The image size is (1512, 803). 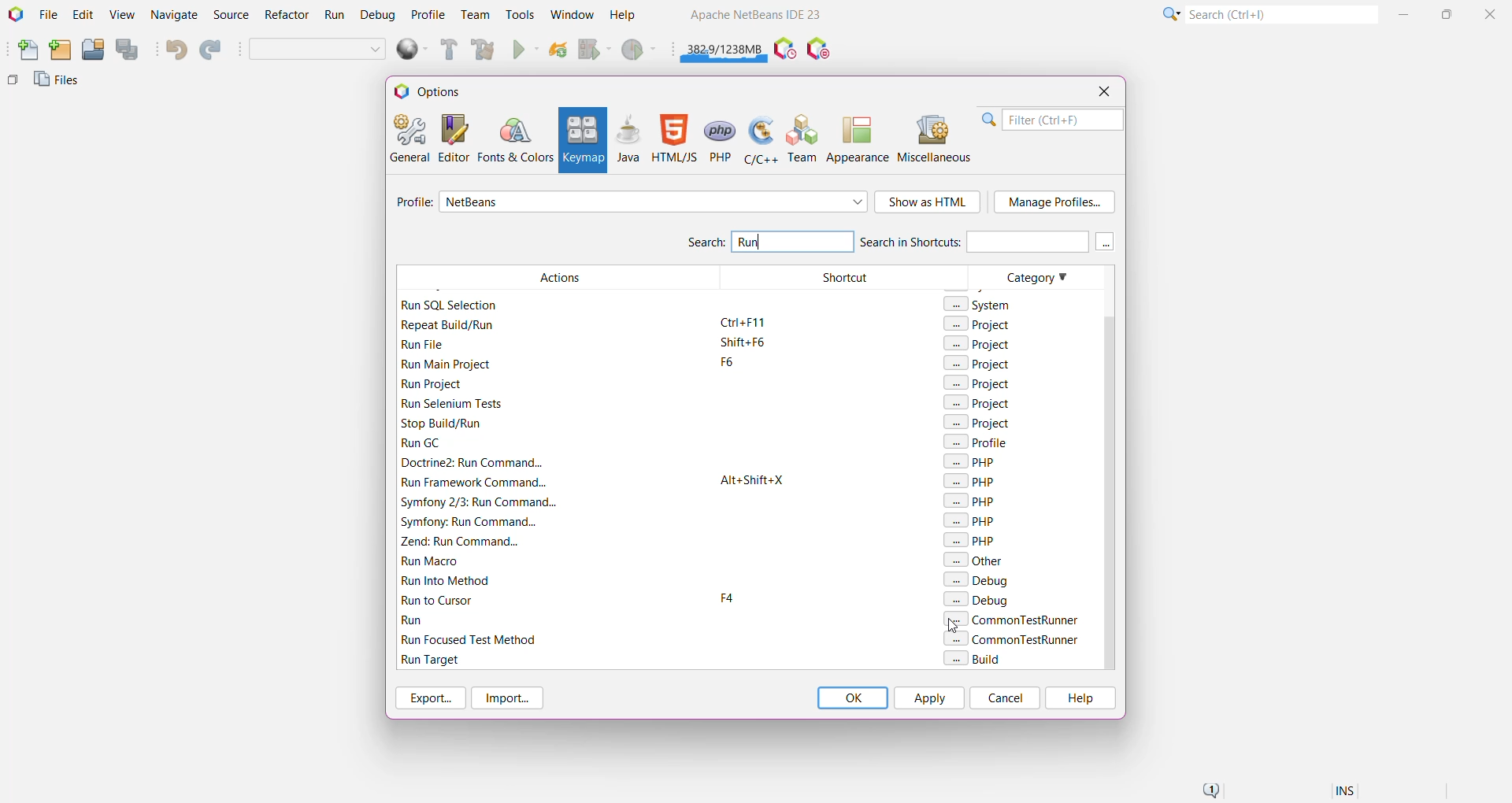 What do you see at coordinates (705, 244) in the screenshot?
I see `Search` at bounding box center [705, 244].